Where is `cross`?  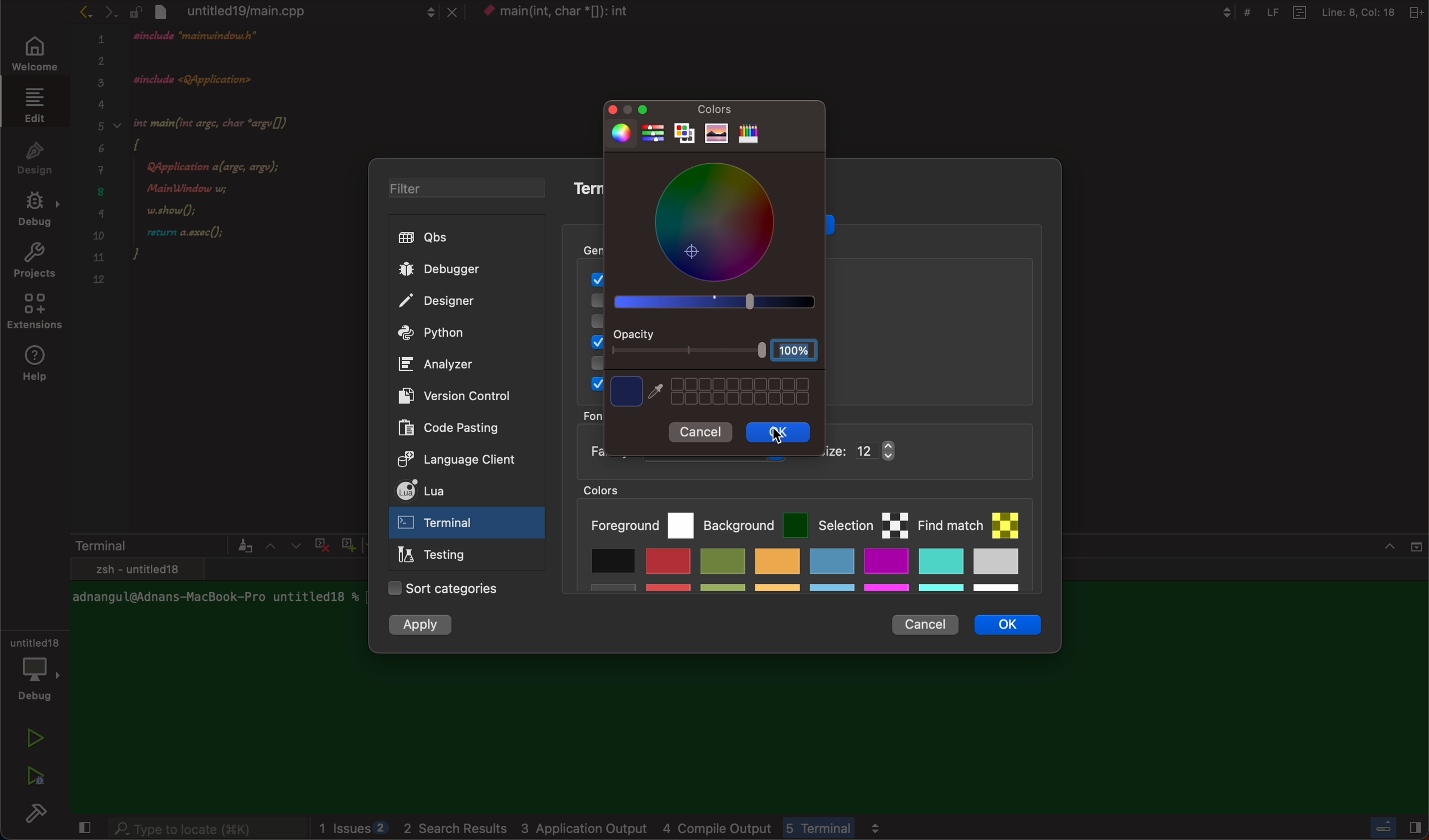 cross is located at coordinates (319, 543).